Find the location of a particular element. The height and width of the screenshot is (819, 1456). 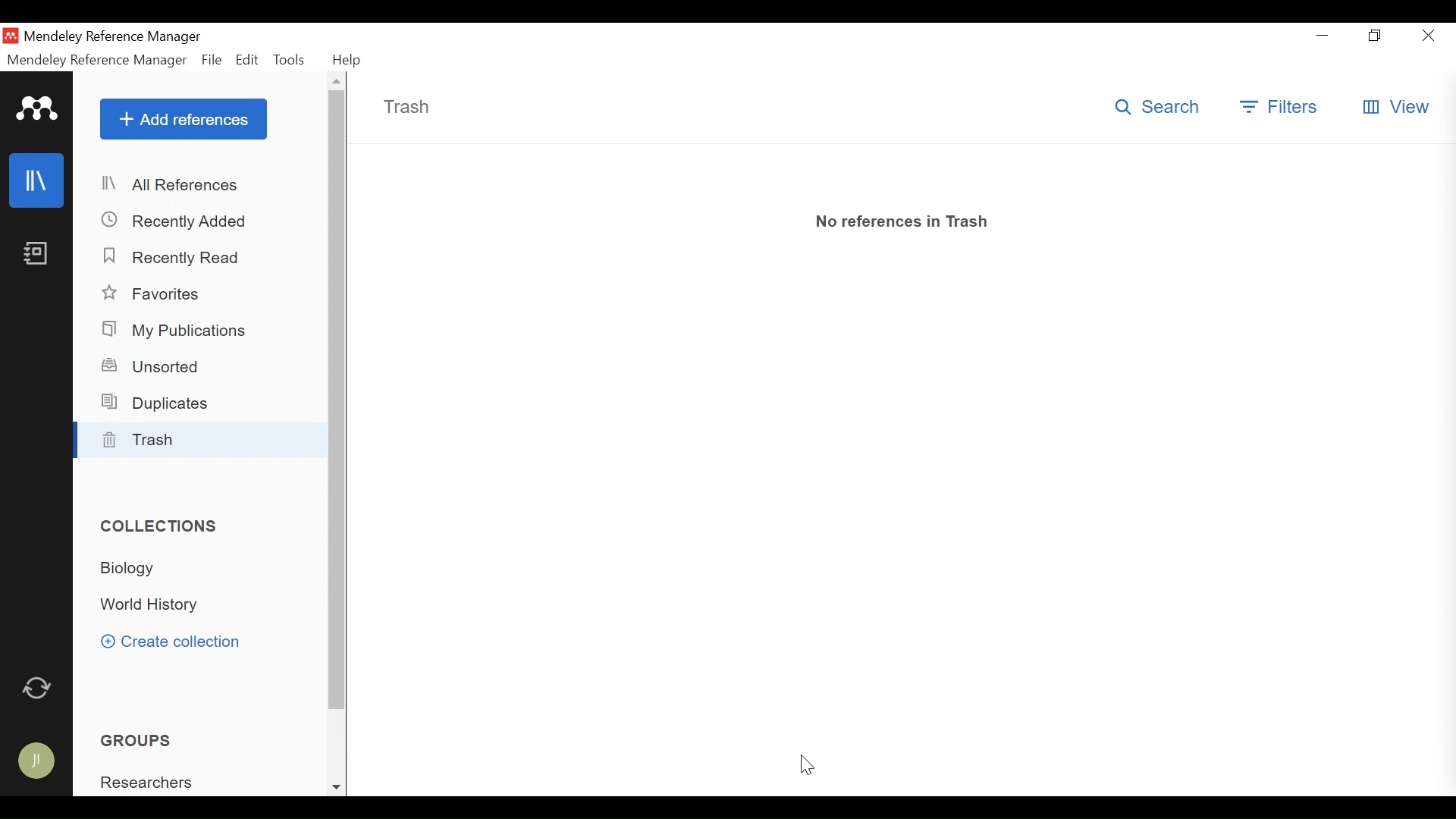

File is located at coordinates (212, 60).